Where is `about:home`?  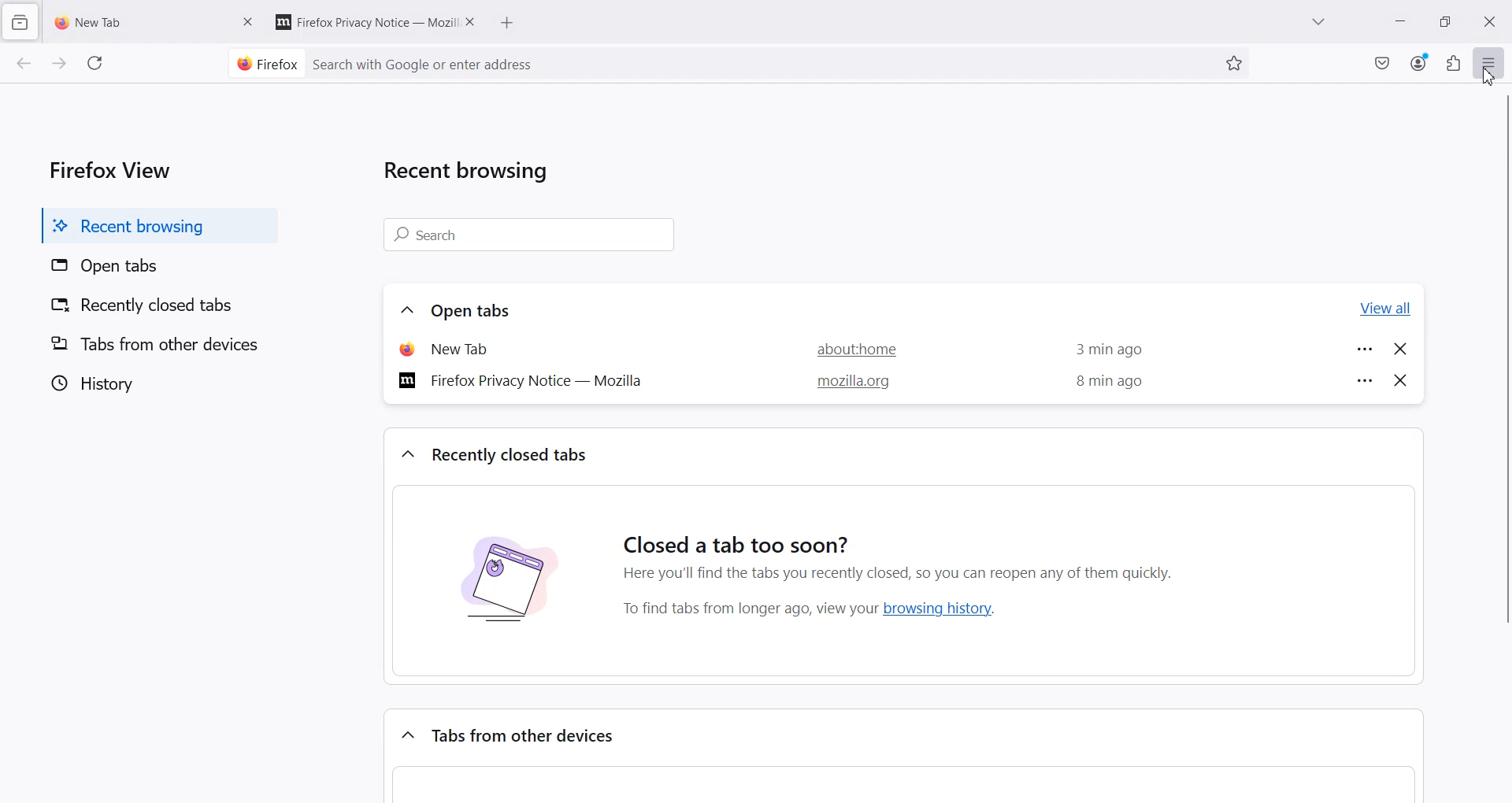 about:home is located at coordinates (848, 348).